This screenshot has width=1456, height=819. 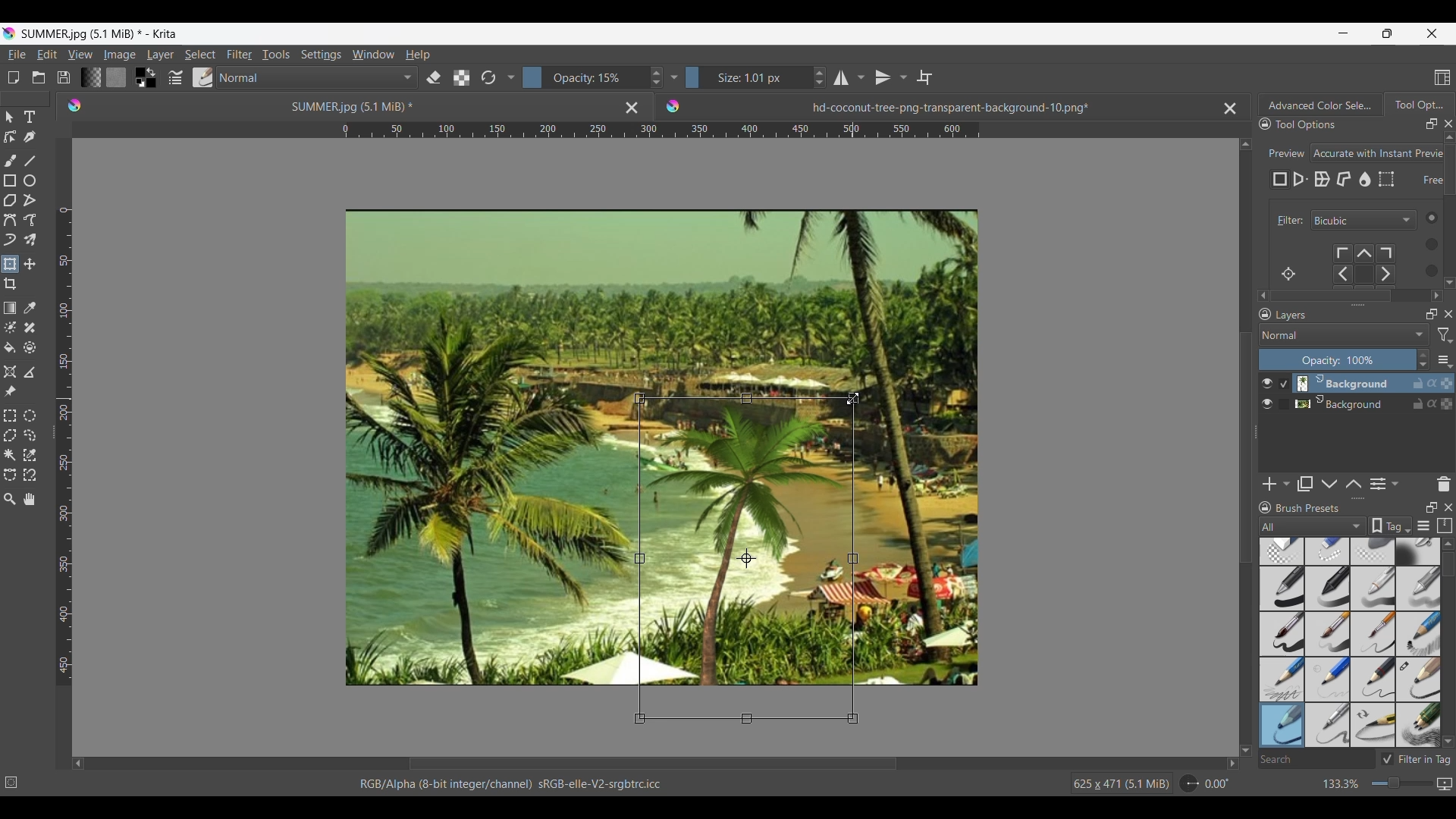 I want to click on Liquify, so click(x=1366, y=179).